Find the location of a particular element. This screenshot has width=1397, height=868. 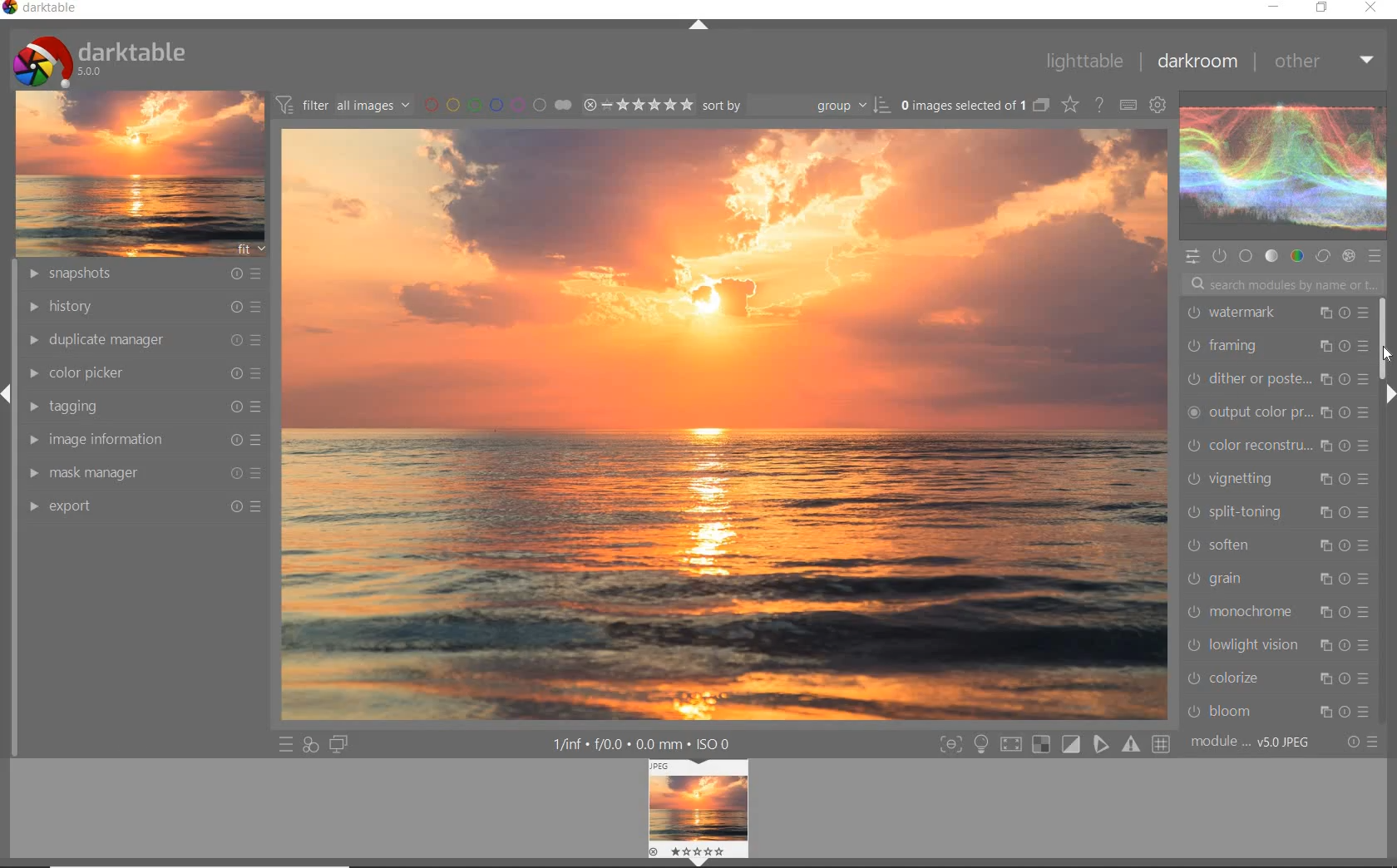

WATERMARK is located at coordinates (1277, 313).